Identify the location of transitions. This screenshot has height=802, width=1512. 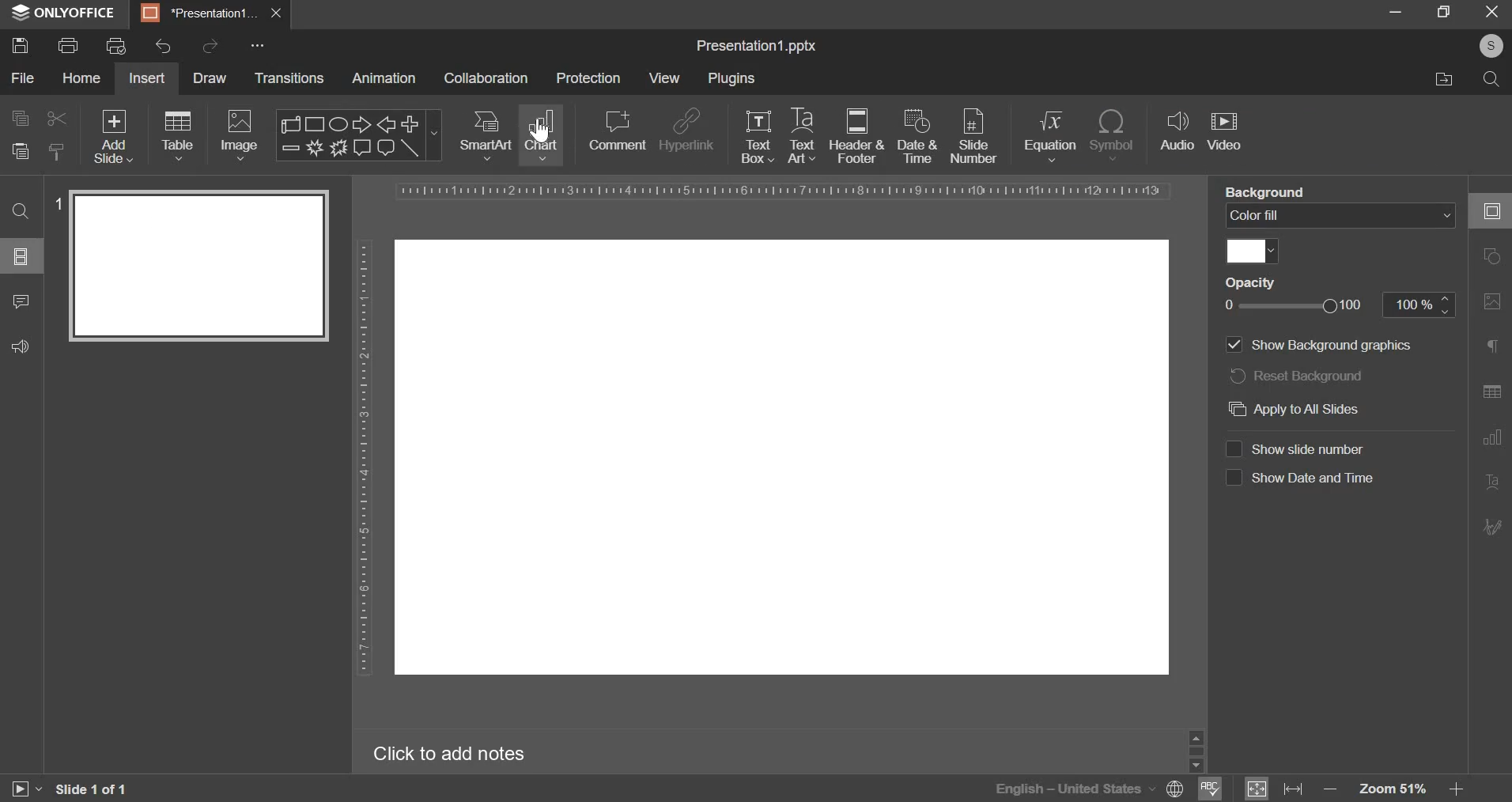
(289, 78).